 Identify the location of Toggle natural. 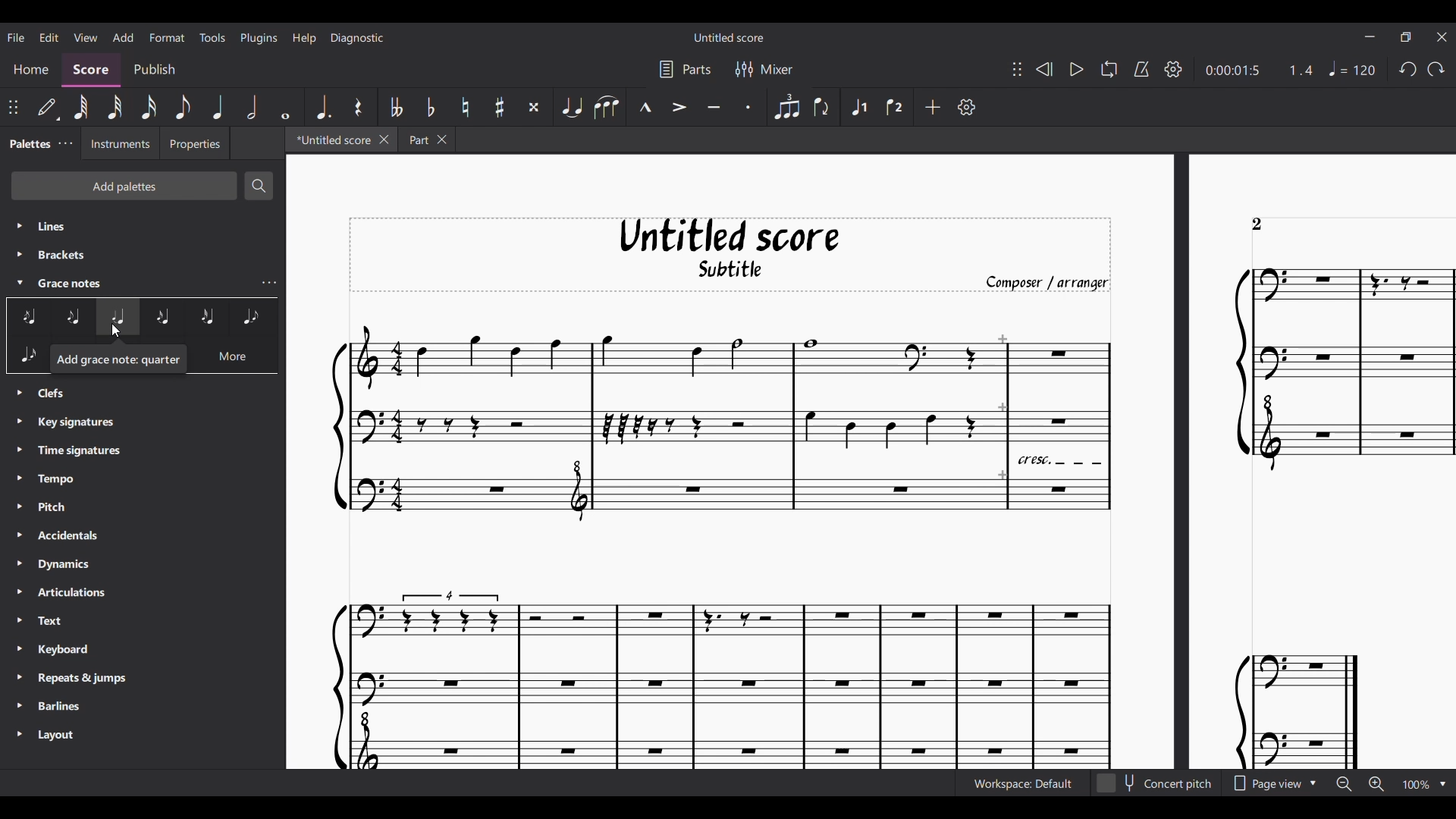
(465, 107).